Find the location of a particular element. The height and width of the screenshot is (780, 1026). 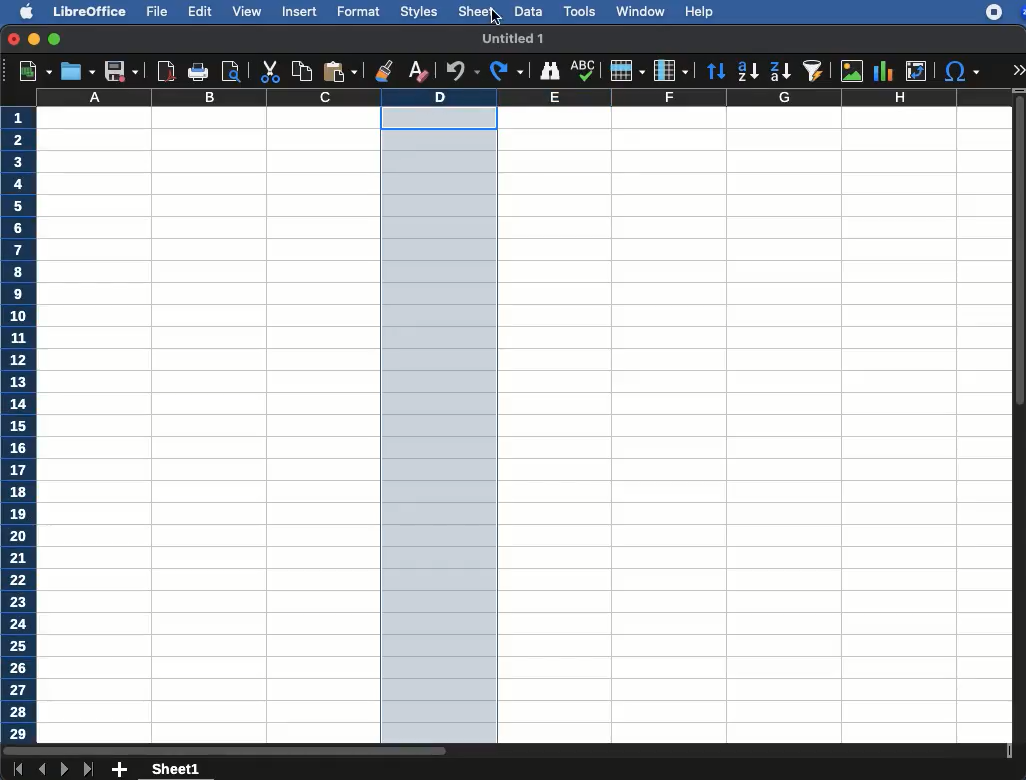

format is located at coordinates (359, 12).